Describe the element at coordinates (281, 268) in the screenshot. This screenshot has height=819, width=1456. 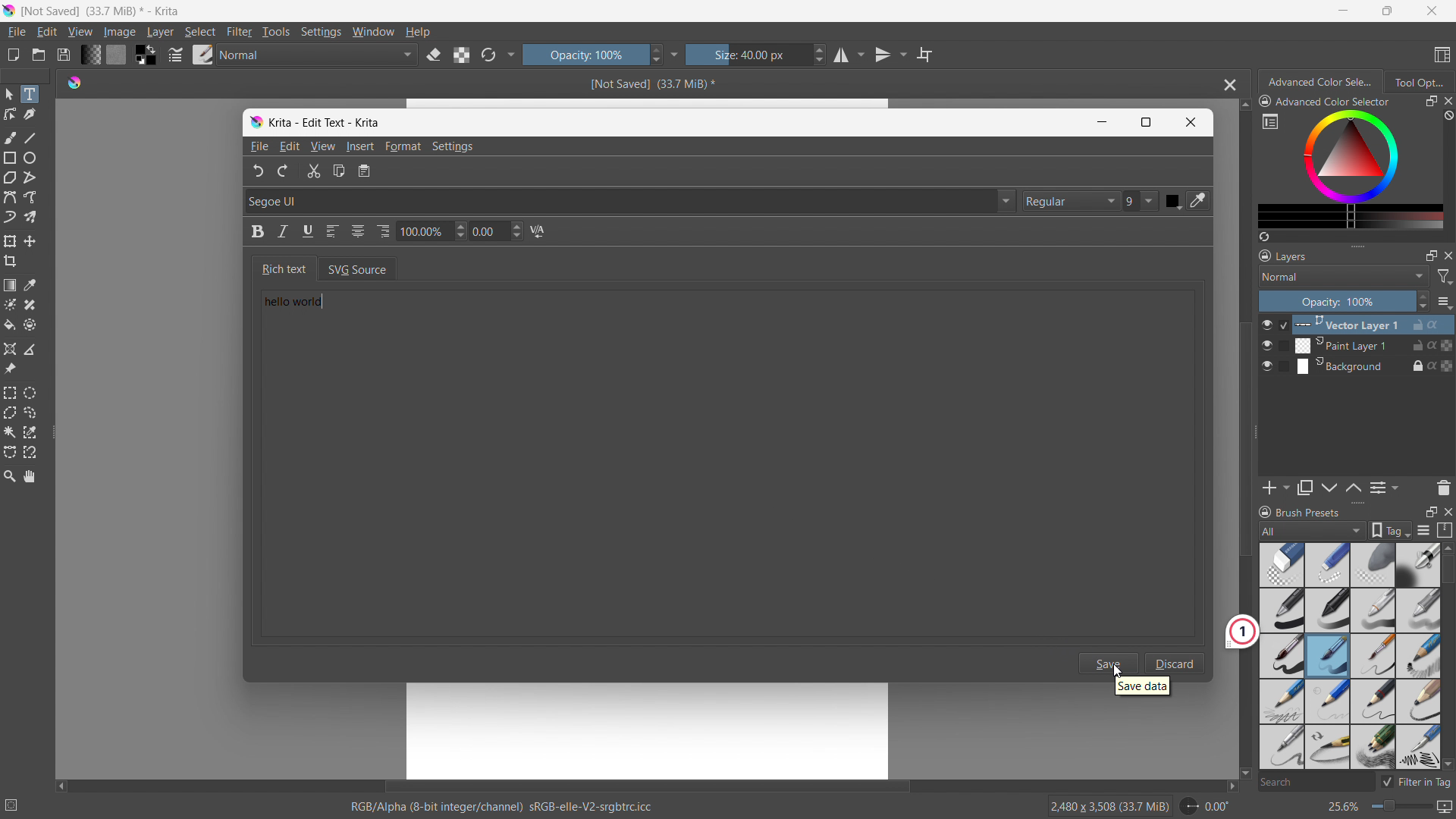
I see `Rich text` at that location.